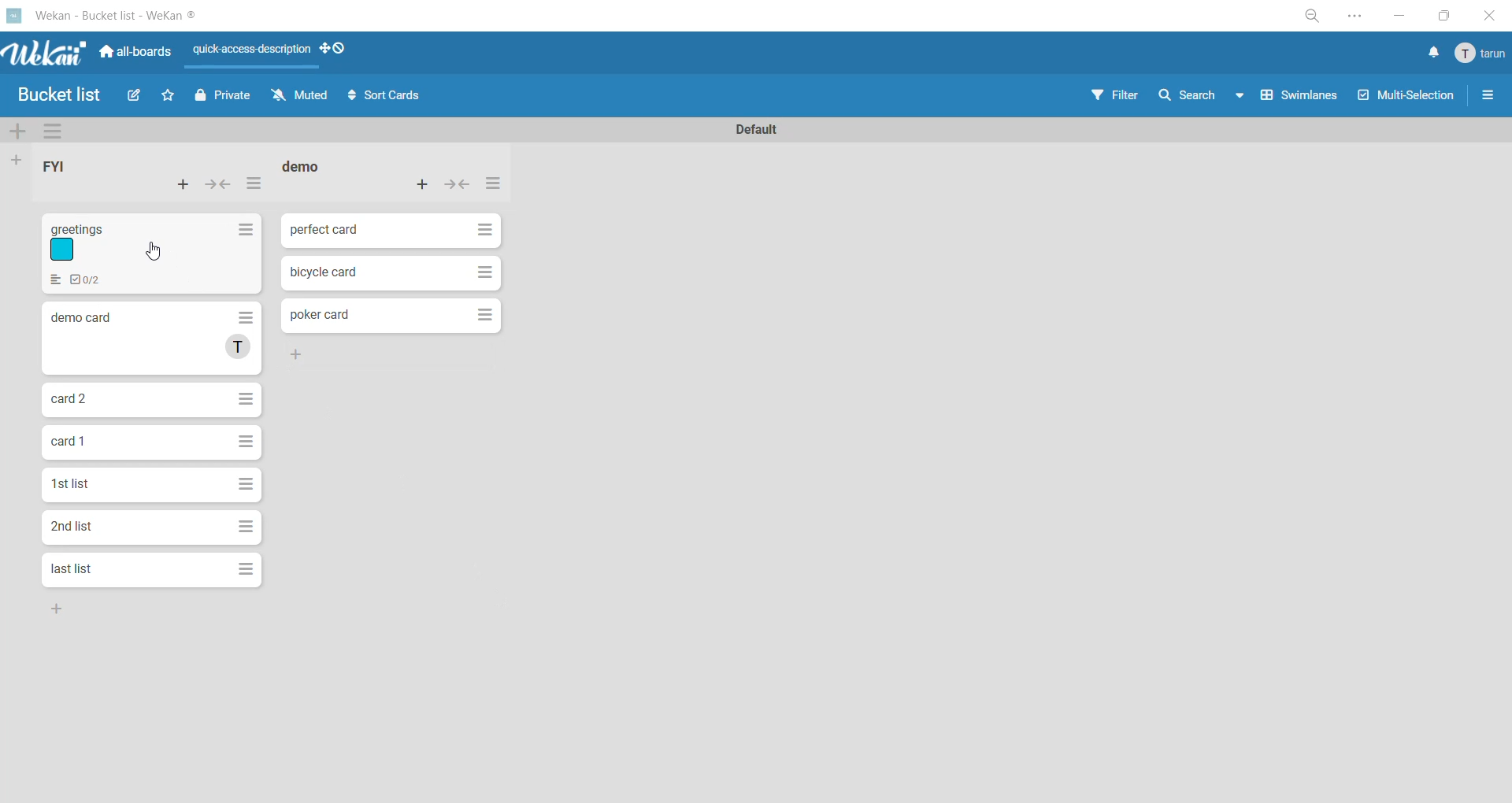  I want to click on notifications, so click(1434, 52).